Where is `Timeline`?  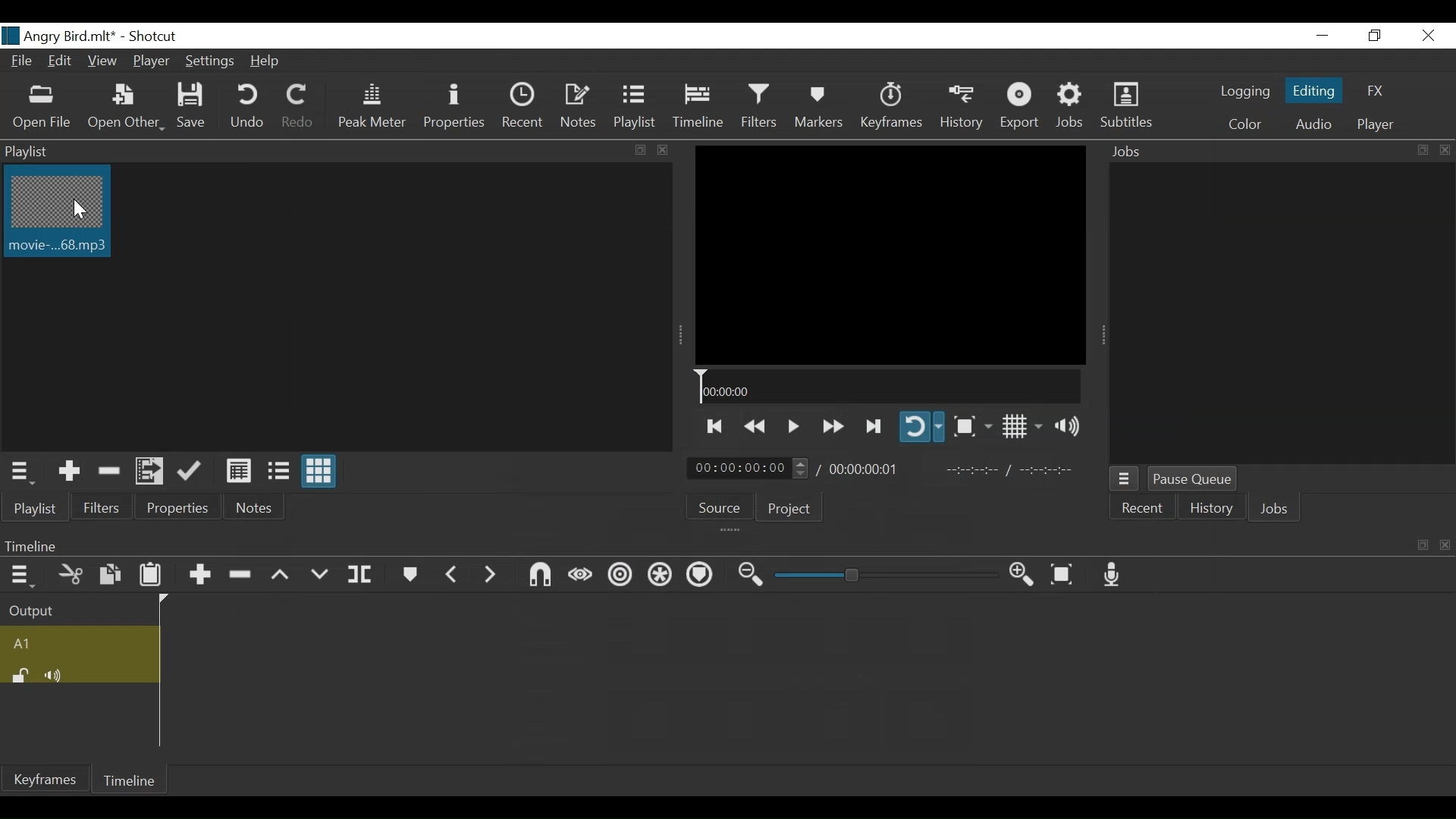
Timeline is located at coordinates (128, 780).